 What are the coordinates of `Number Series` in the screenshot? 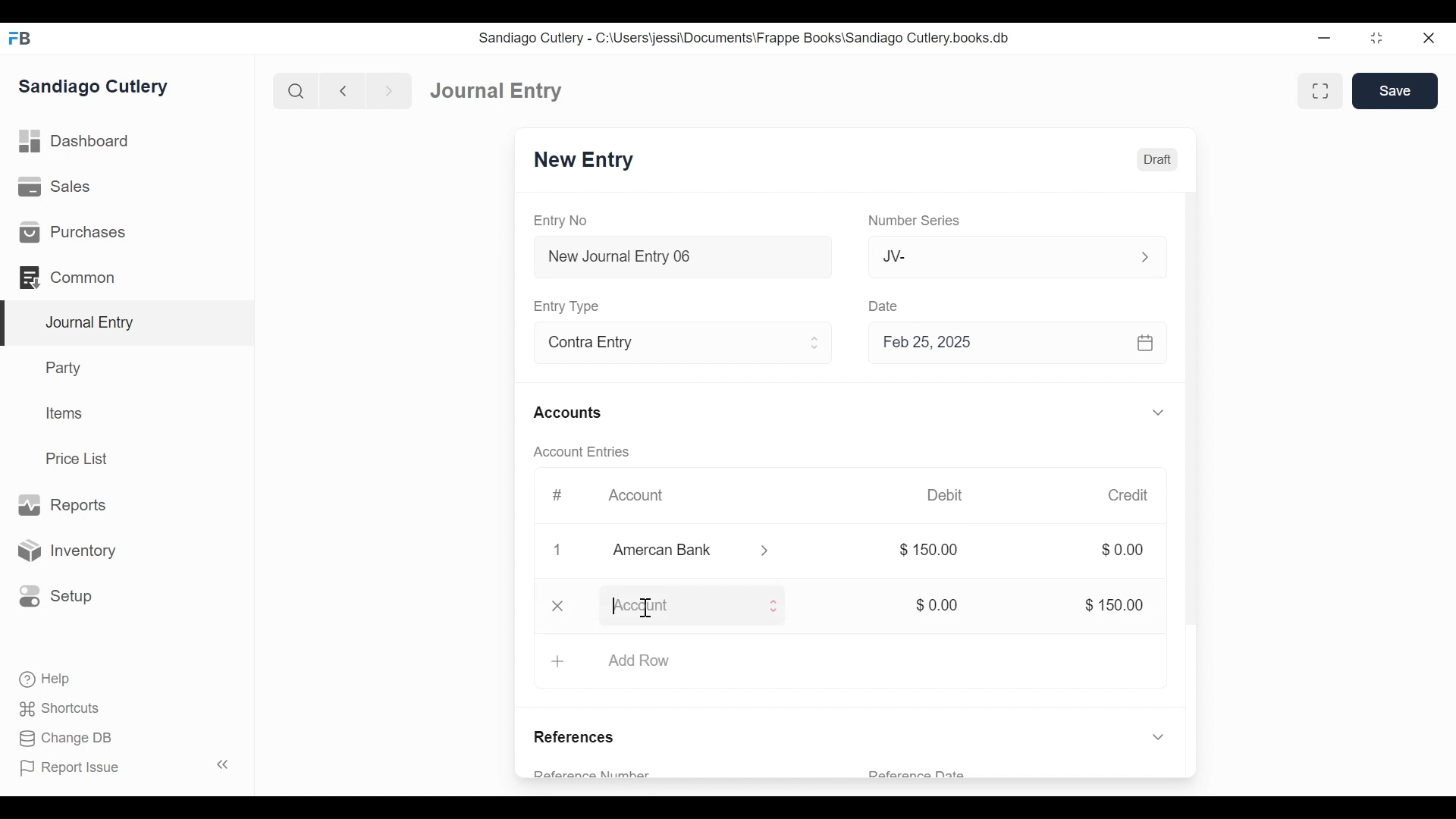 It's located at (917, 221).